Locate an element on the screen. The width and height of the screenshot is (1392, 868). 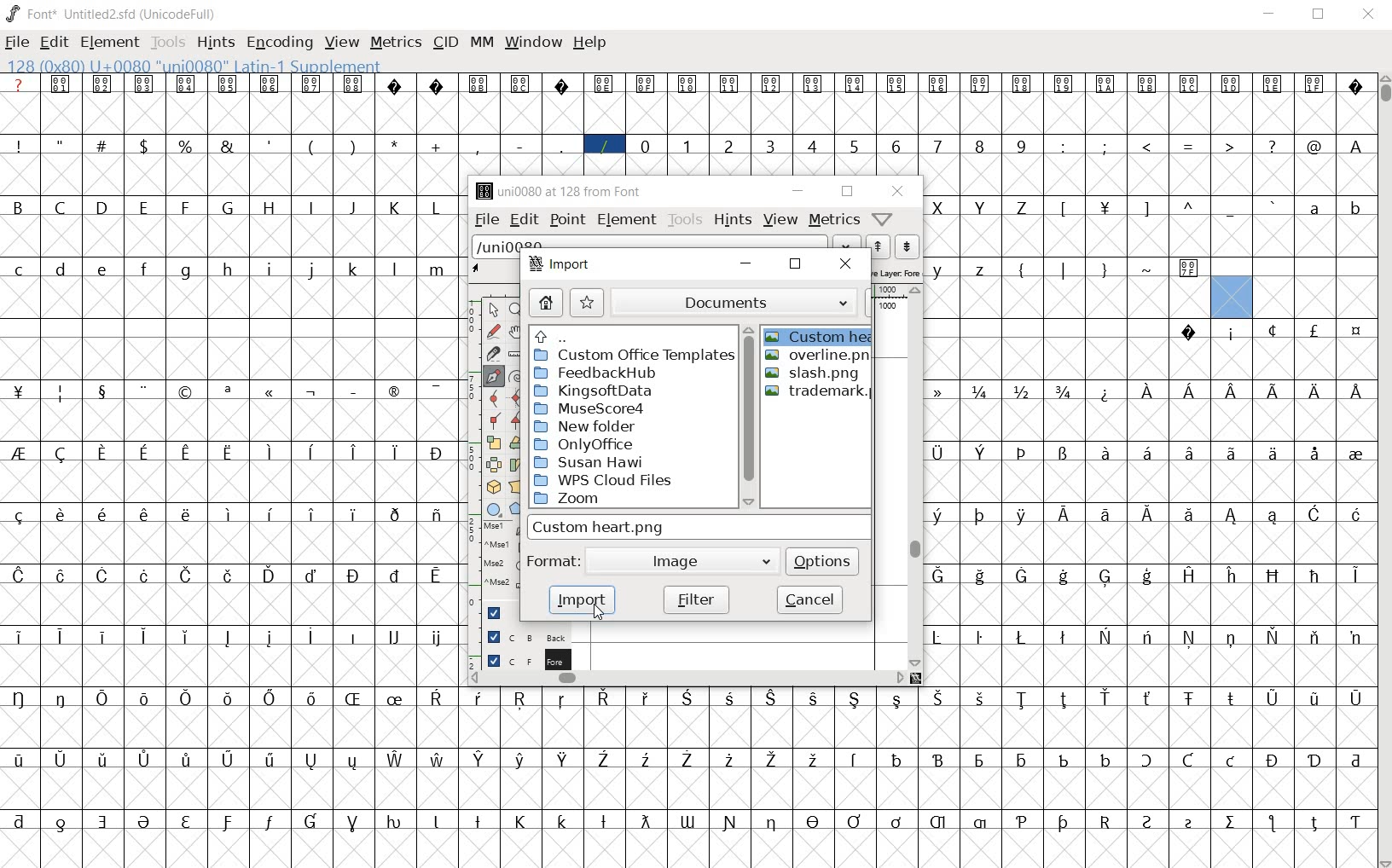
glyph is located at coordinates (1314, 330).